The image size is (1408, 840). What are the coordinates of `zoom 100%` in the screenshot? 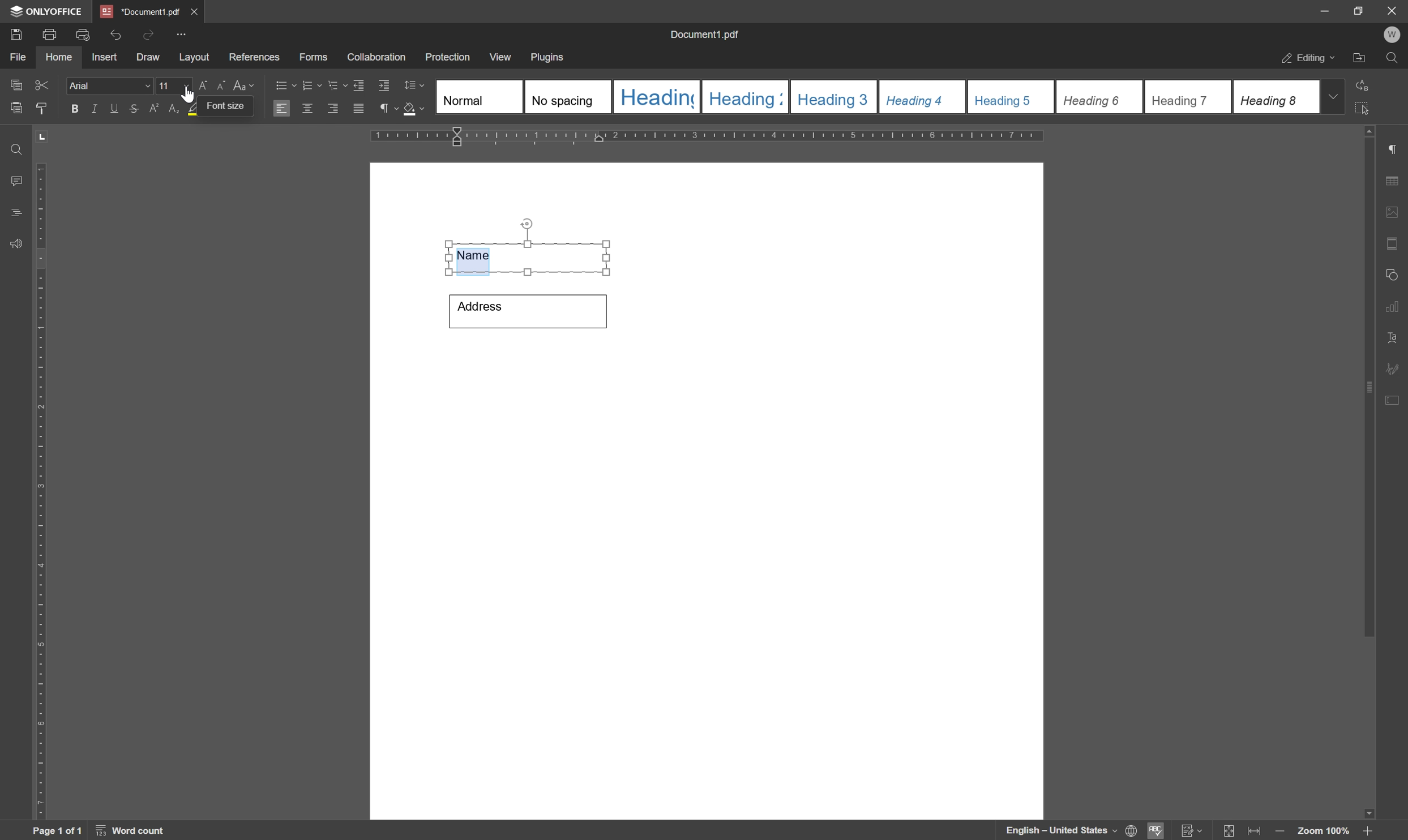 It's located at (1323, 831).